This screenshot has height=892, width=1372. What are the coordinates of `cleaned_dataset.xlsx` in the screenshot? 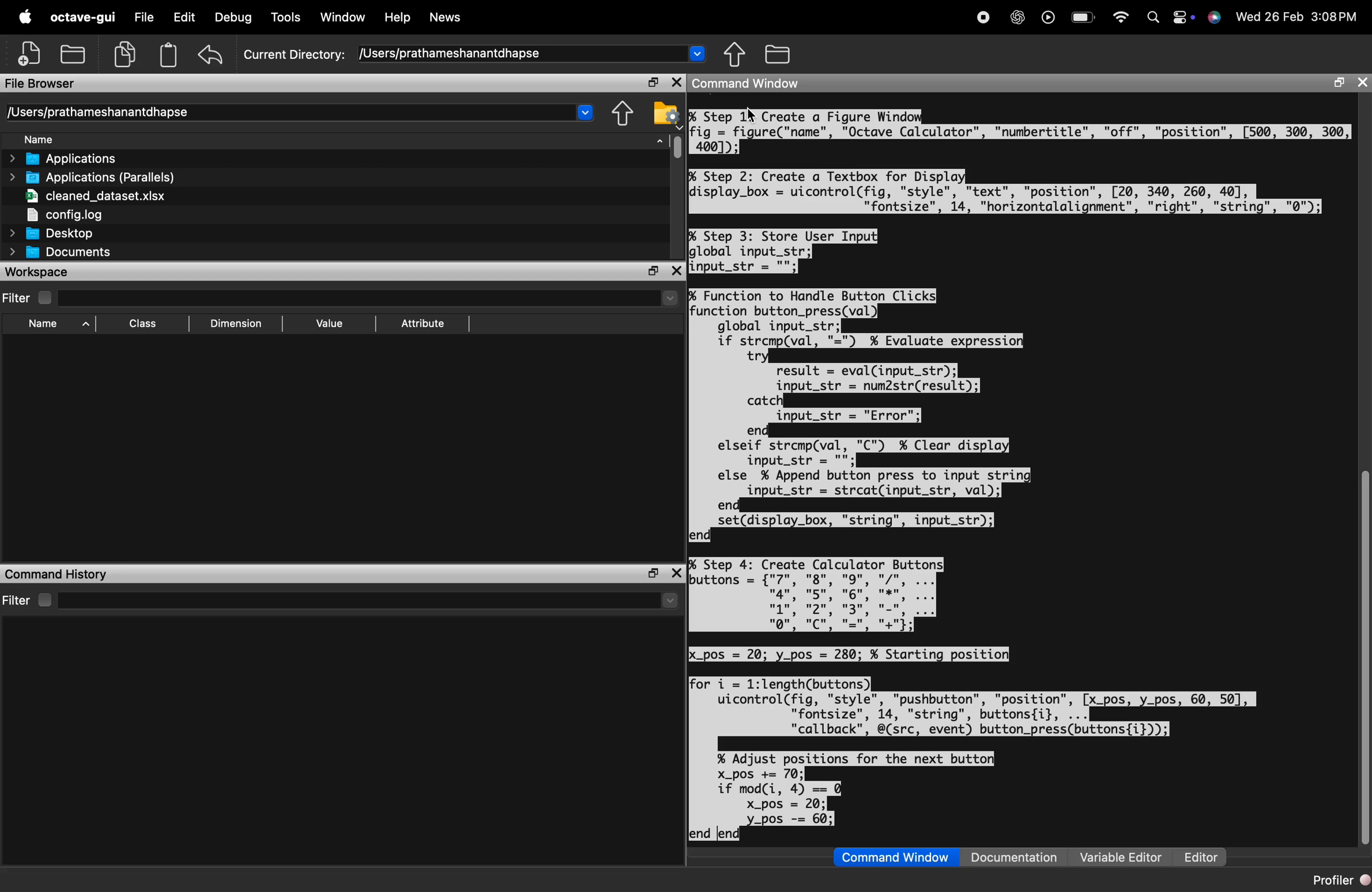 It's located at (97, 196).